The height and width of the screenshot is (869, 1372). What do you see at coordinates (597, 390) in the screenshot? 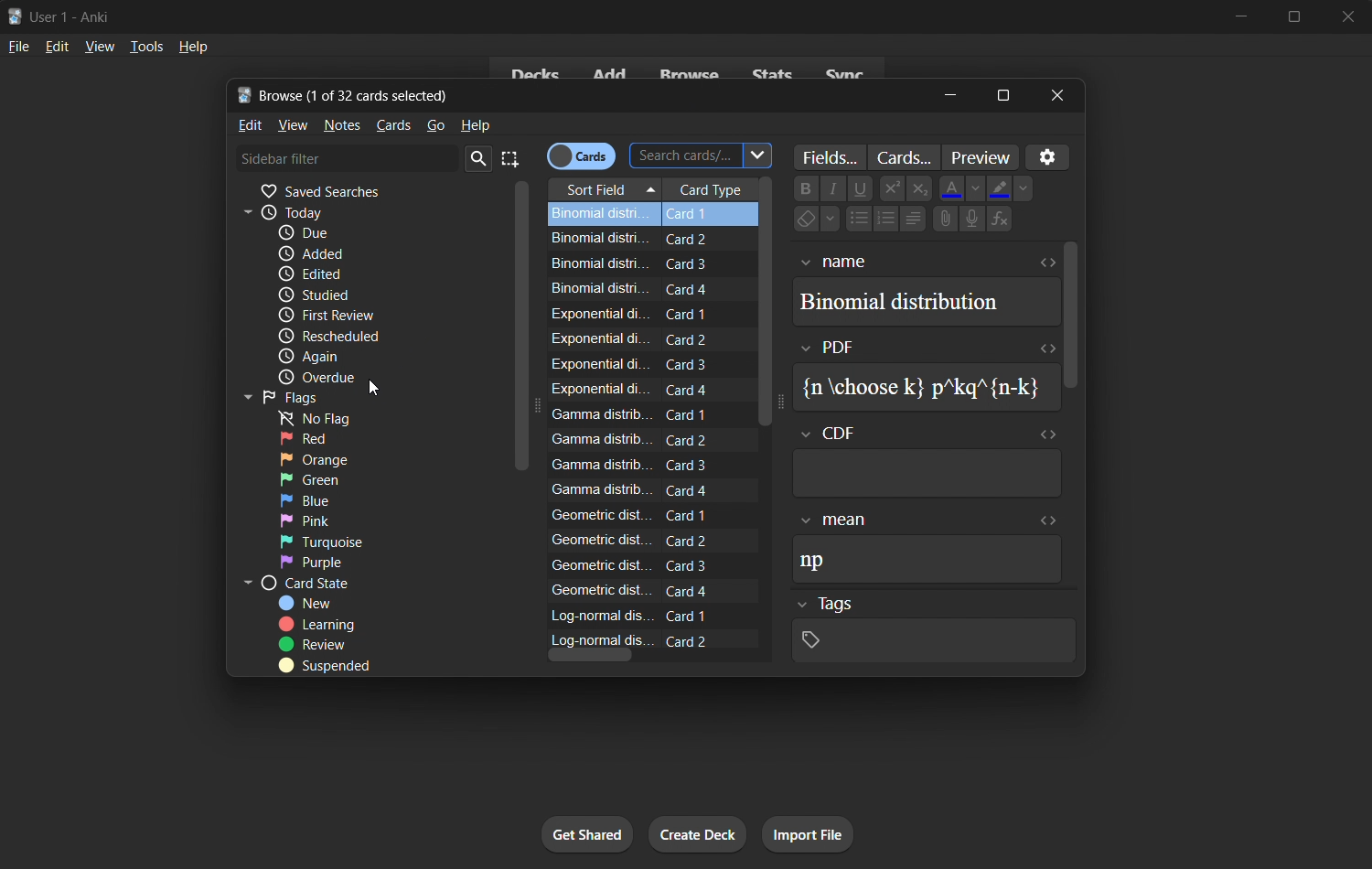
I see `Exponential di.` at bounding box center [597, 390].